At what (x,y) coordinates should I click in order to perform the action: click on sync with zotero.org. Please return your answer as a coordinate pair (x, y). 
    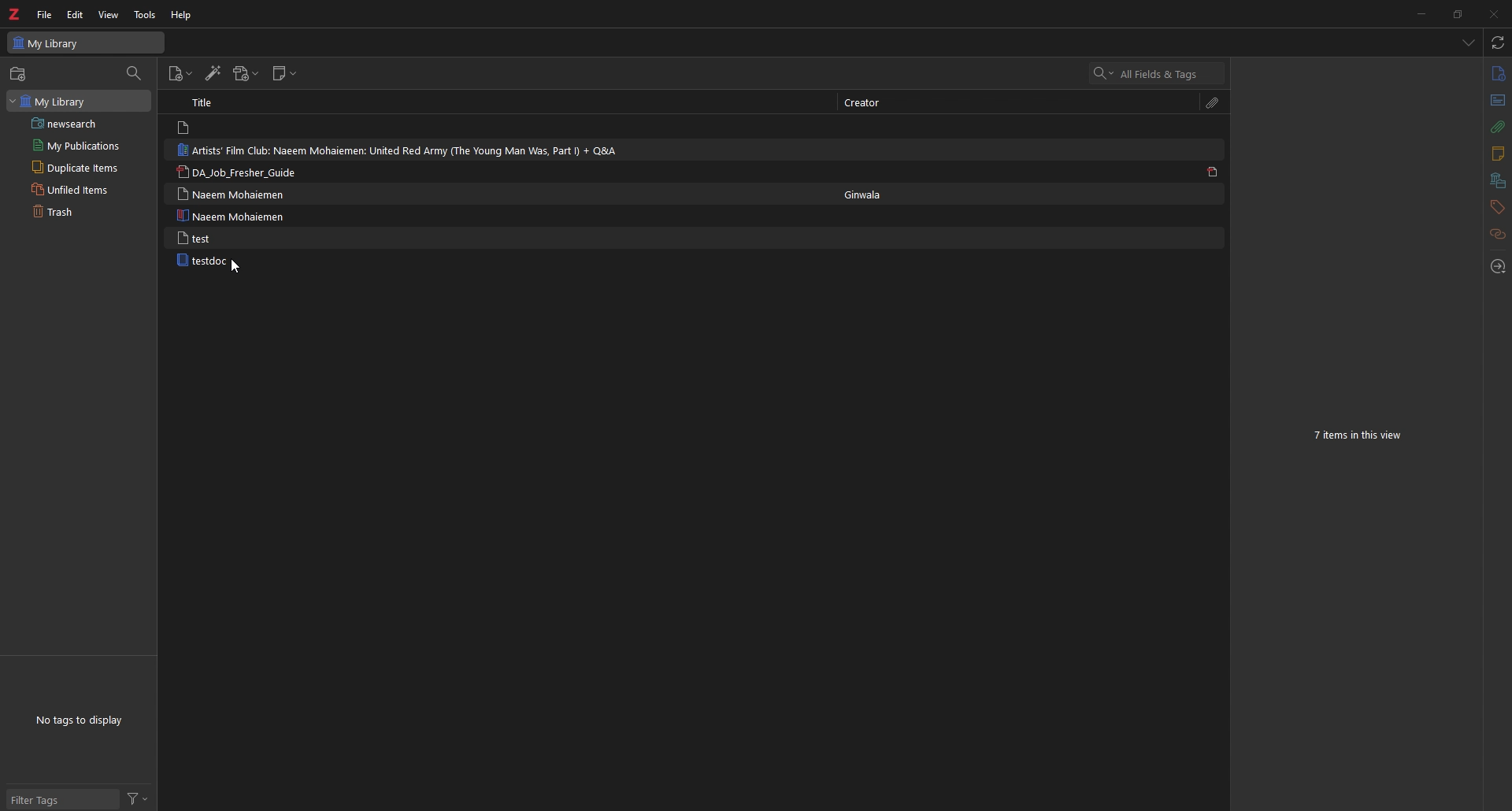
    Looking at the image, I should click on (1499, 42).